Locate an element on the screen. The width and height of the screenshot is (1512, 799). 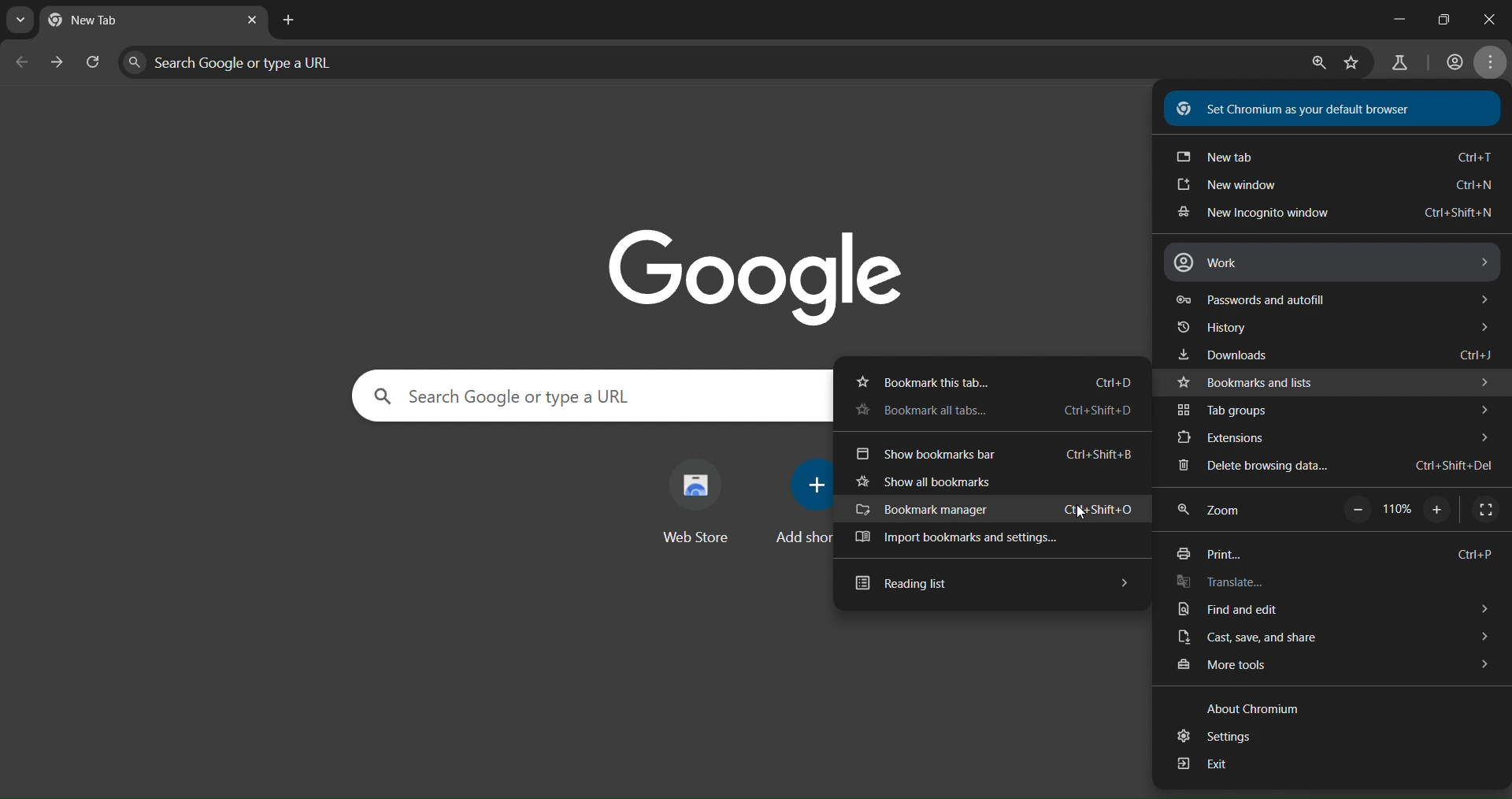
import bookmarks and settings is located at coordinates (968, 539).